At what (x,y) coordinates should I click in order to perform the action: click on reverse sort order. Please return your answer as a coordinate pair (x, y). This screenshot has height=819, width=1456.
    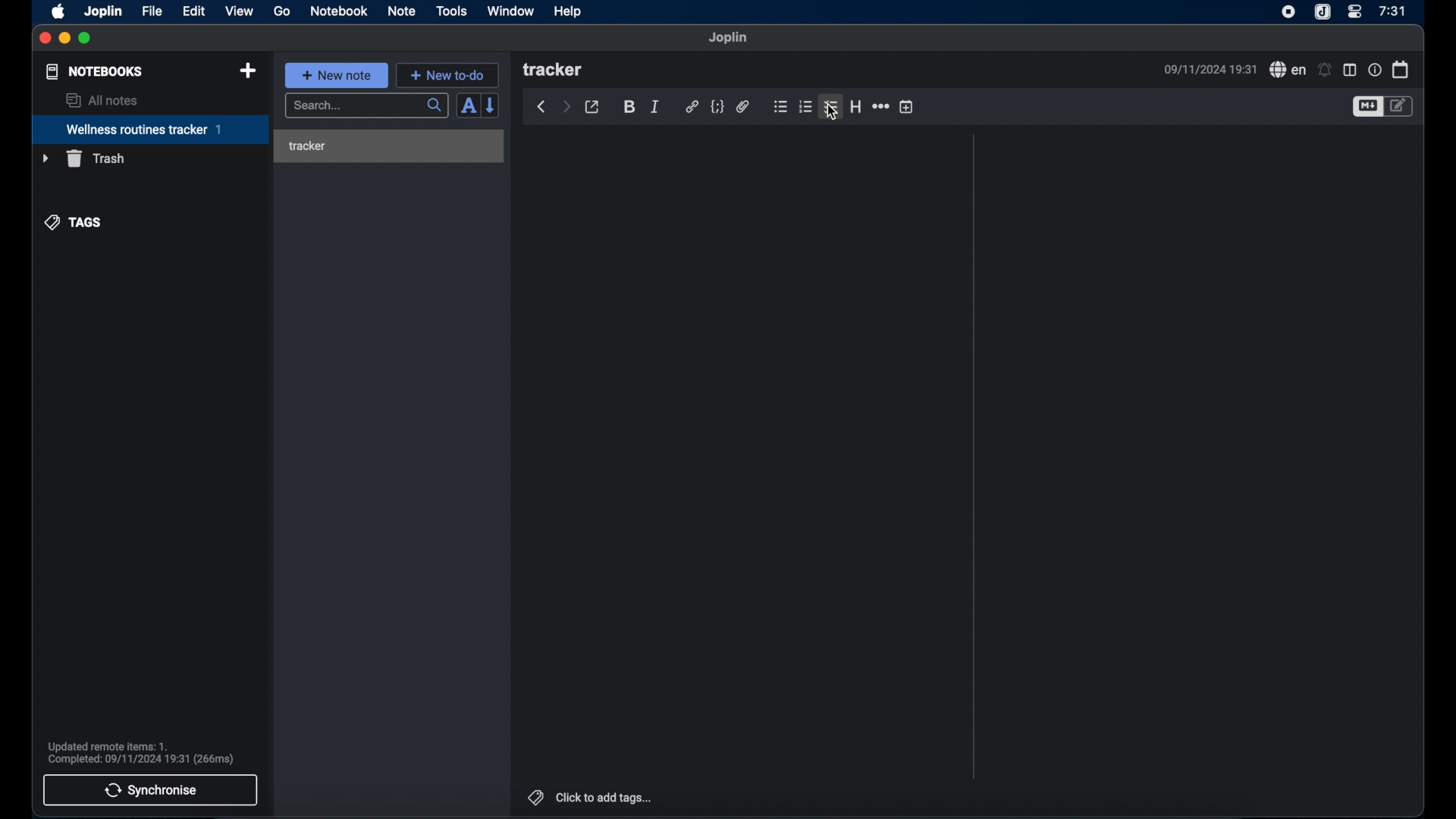
    Looking at the image, I should click on (491, 105).